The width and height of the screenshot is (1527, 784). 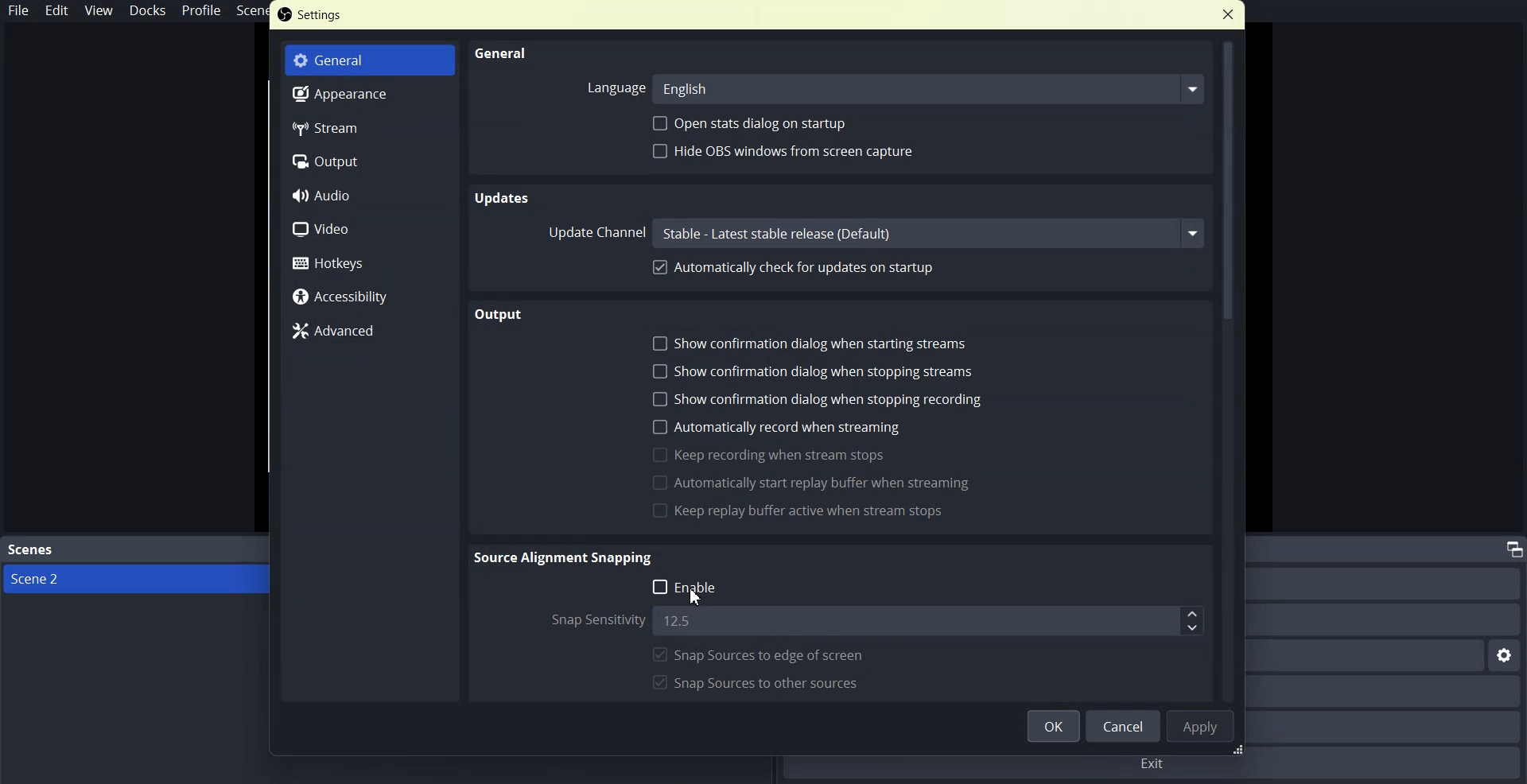 What do you see at coordinates (793, 266) in the screenshot?
I see `Automatically check for updates on startup` at bounding box center [793, 266].